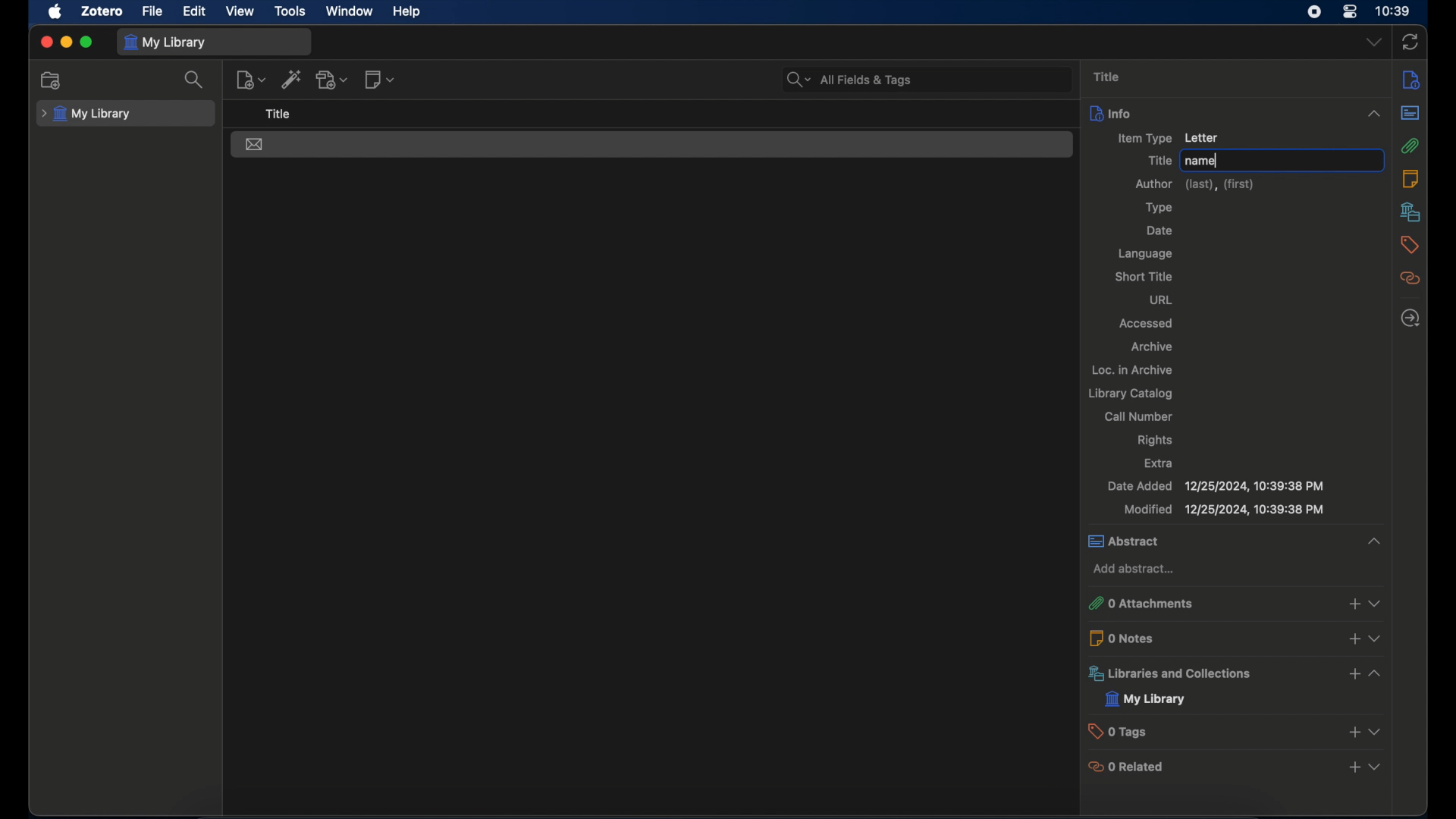 The height and width of the screenshot is (819, 1456). Describe the element at coordinates (1128, 637) in the screenshot. I see `0 notes` at that location.